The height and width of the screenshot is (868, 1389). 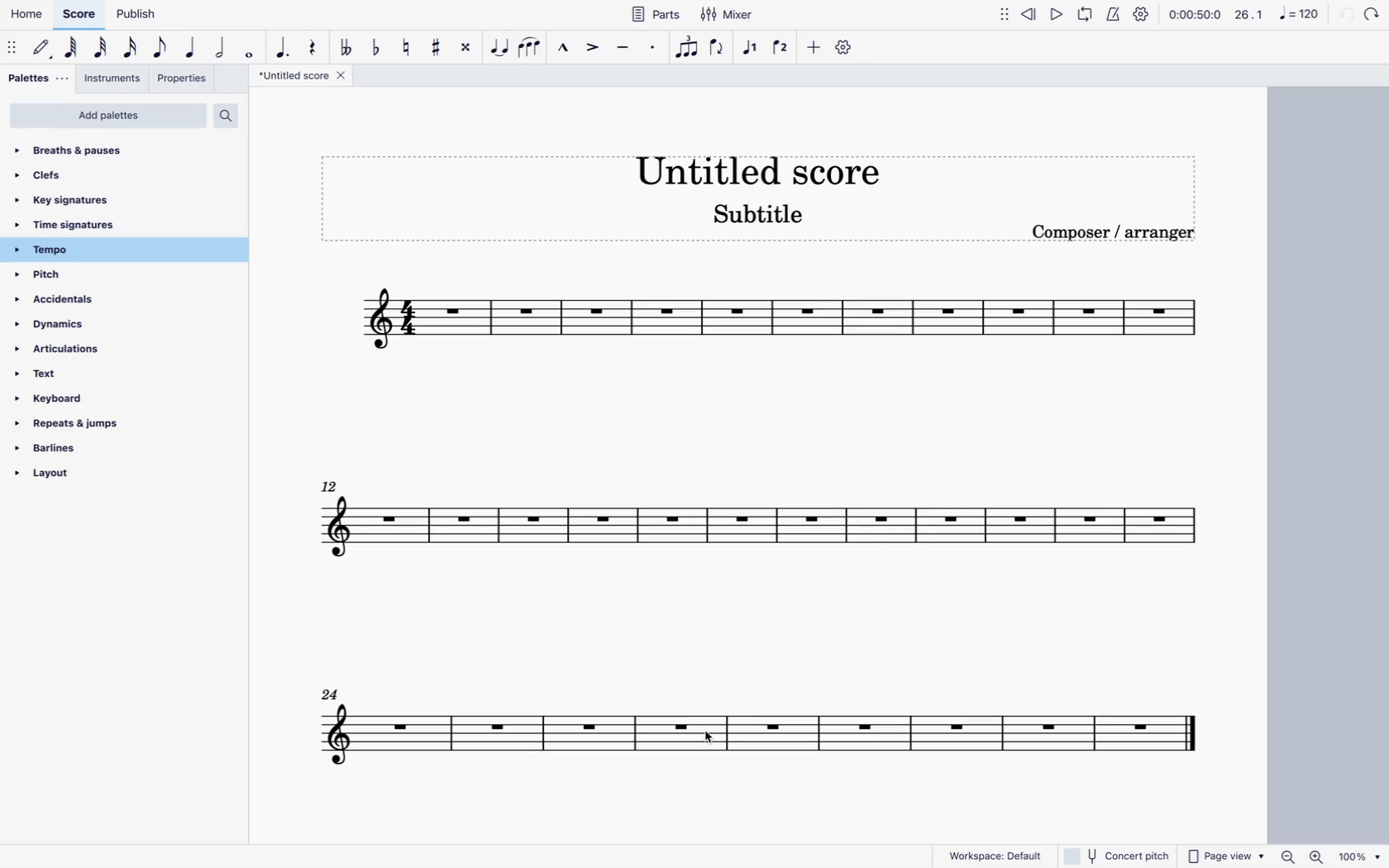 I want to click on back, so click(x=1343, y=15).